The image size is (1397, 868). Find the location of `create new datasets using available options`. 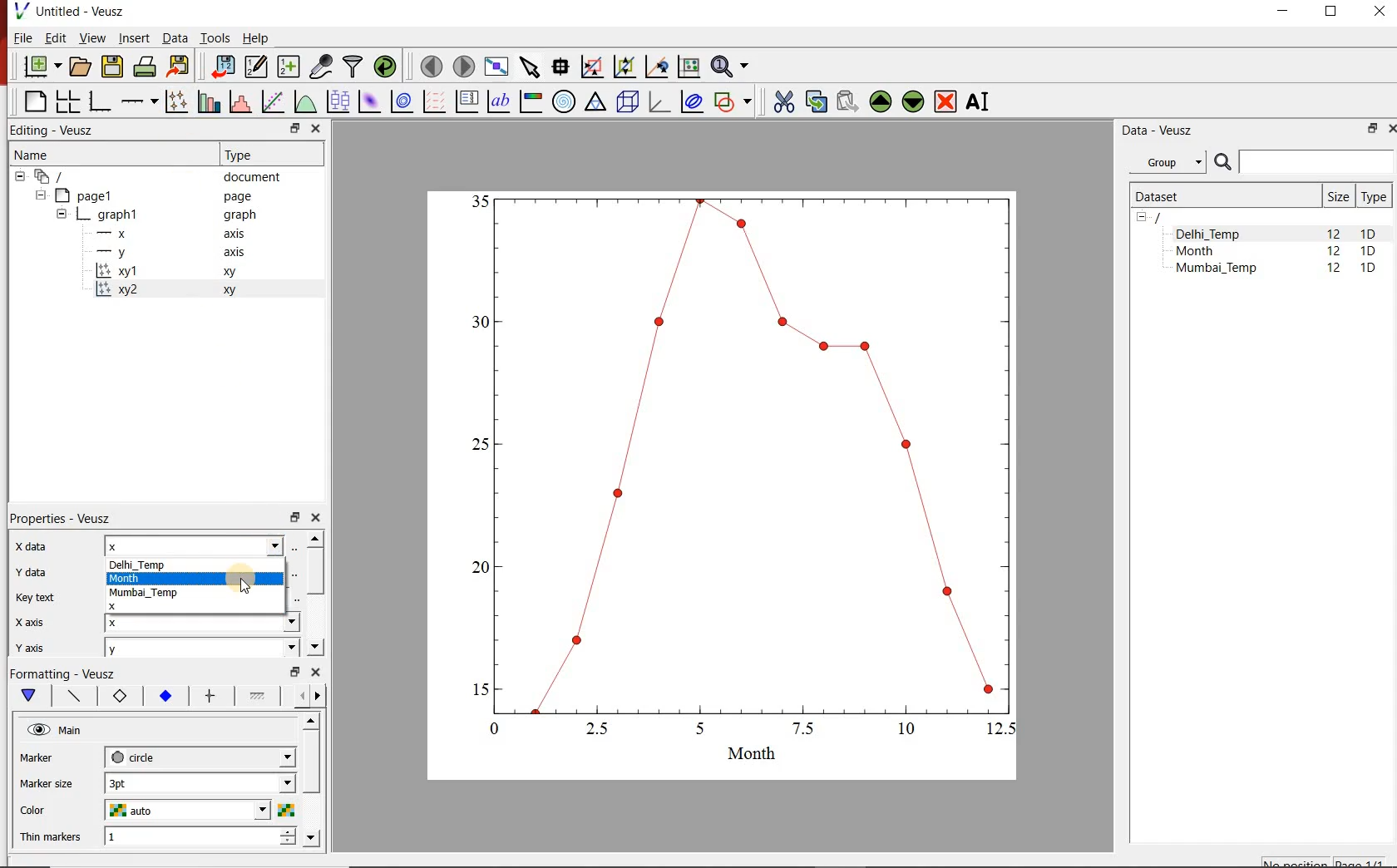

create new datasets using available options is located at coordinates (289, 67).